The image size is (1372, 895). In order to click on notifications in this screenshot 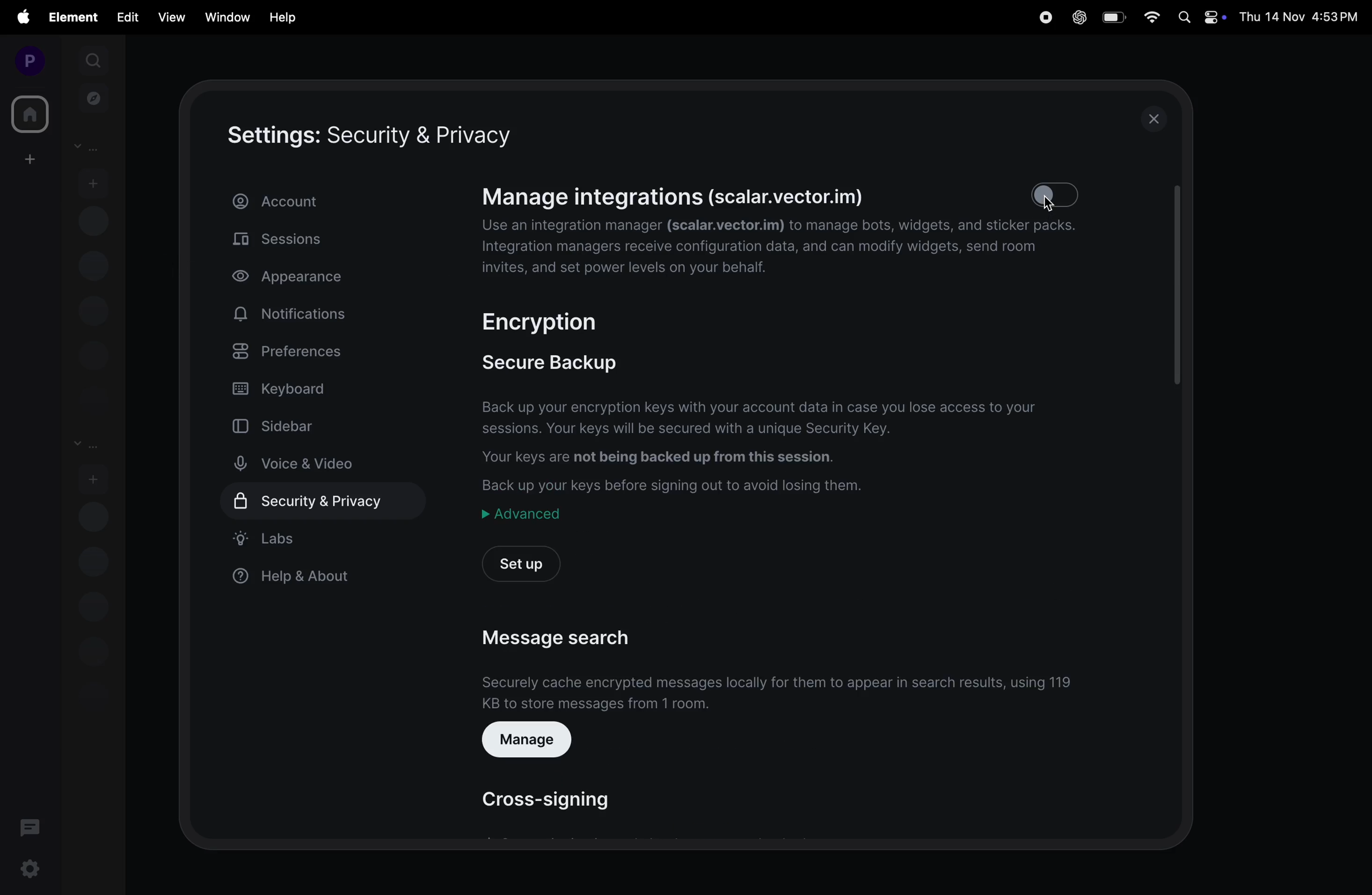, I will do `click(287, 313)`.